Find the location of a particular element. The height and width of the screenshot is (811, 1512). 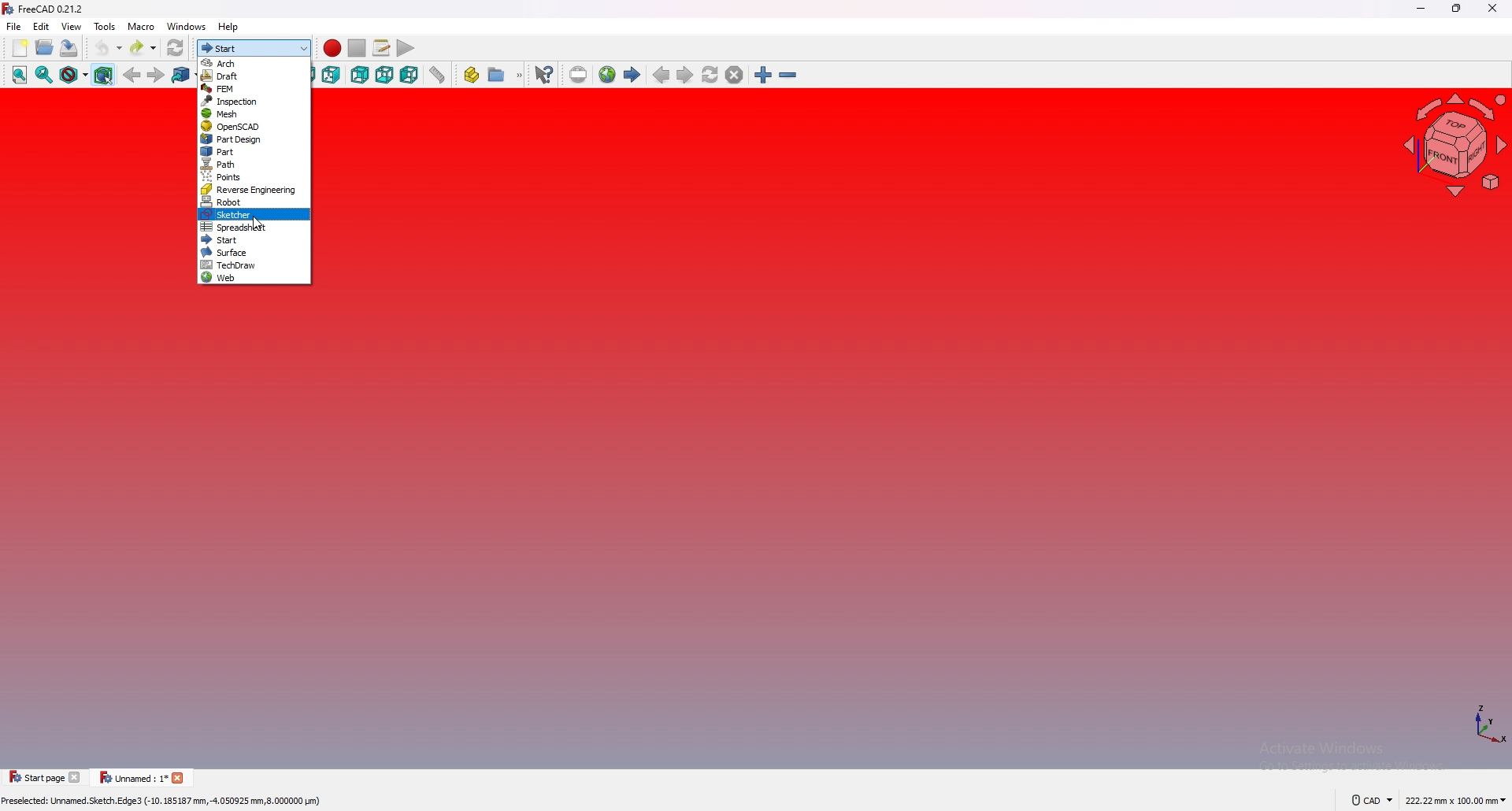

rear is located at coordinates (359, 75).